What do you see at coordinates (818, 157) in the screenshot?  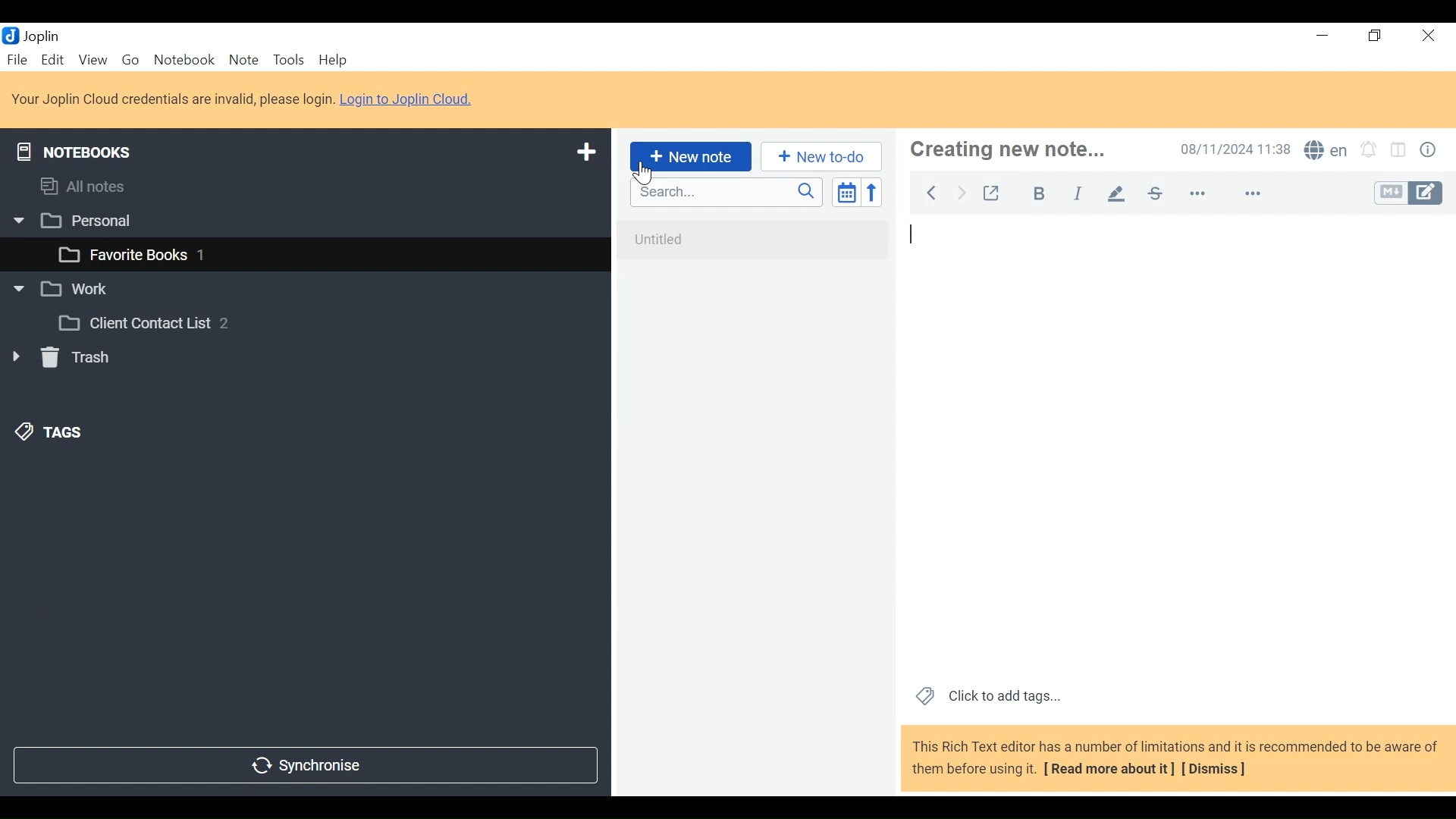 I see `New to do` at bounding box center [818, 157].